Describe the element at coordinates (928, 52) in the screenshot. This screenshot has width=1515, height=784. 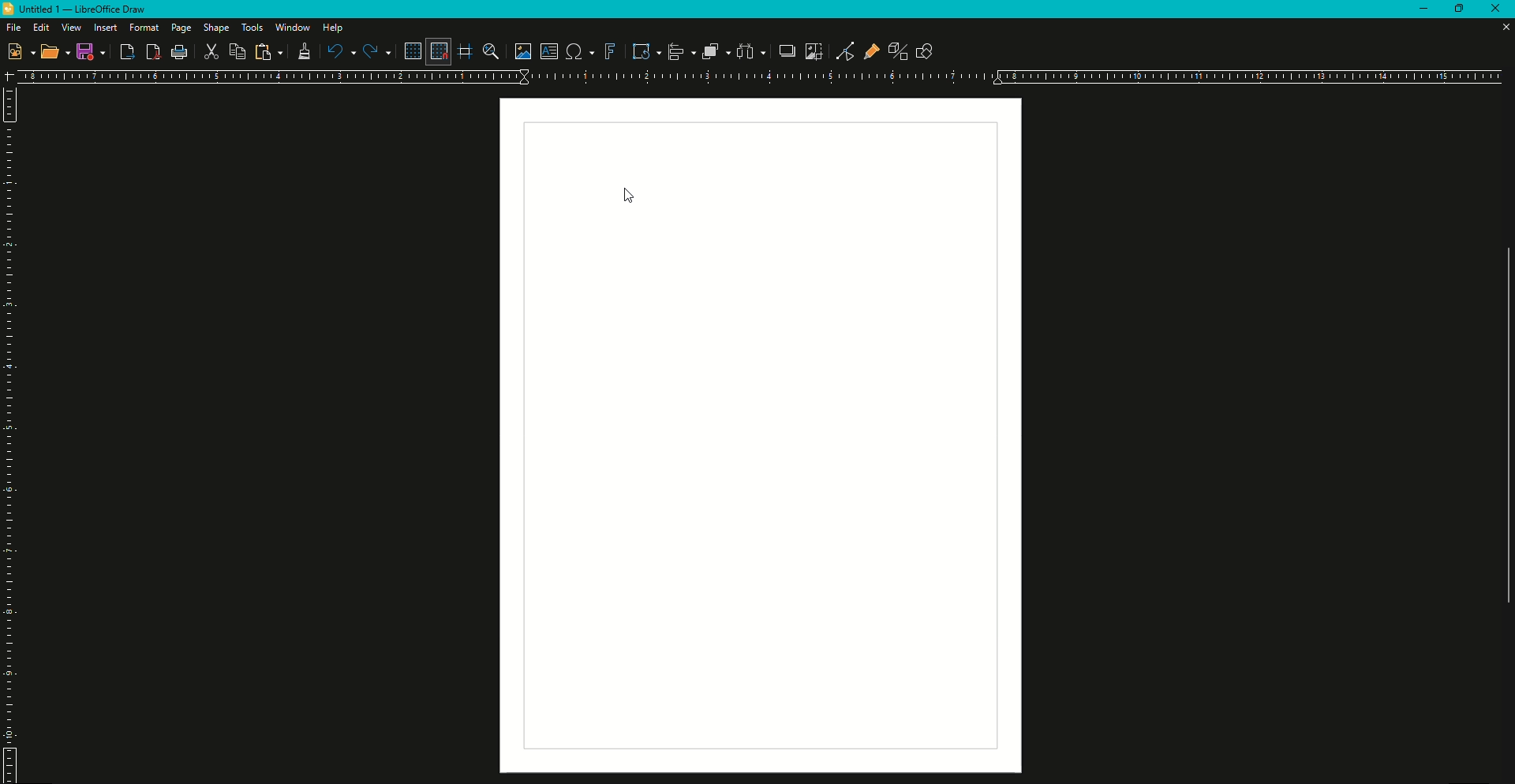
I see `Show draw function` at that location.